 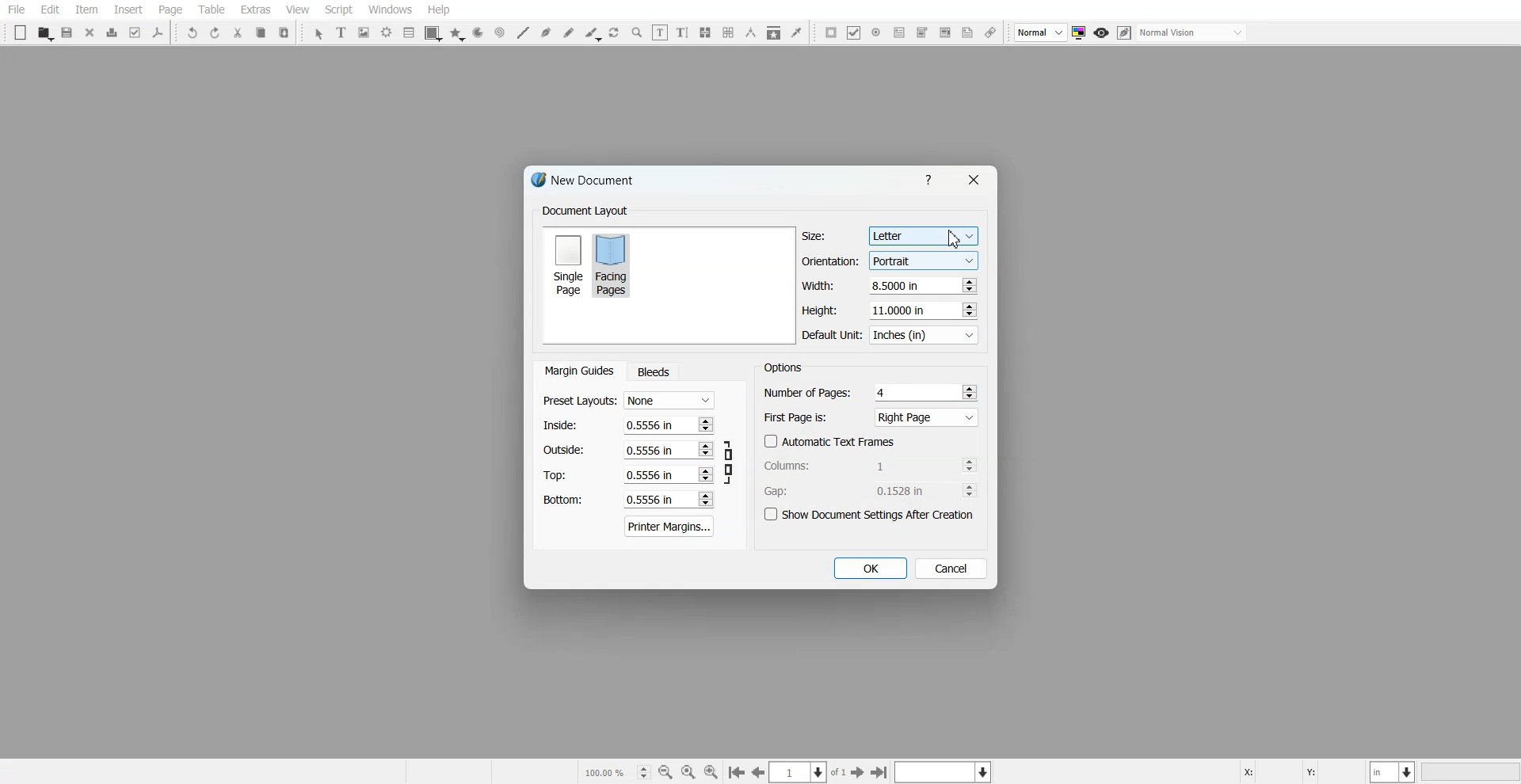 What do you see at coordinates (1393, 771) in the screenshot?
I see `Measurement in Inches` at bounding box center [1393, 771].